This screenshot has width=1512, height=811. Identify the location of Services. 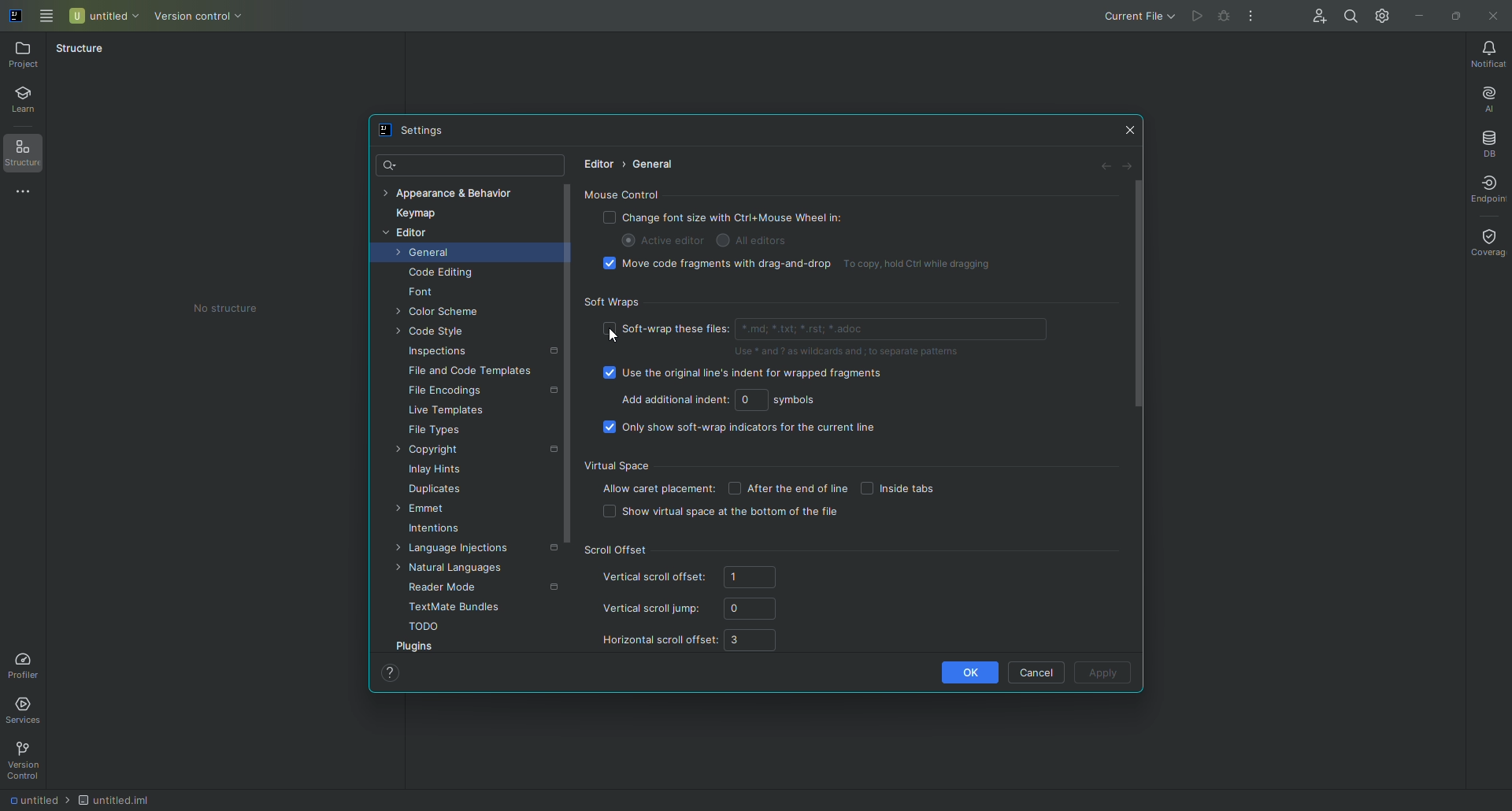
(32, 707).